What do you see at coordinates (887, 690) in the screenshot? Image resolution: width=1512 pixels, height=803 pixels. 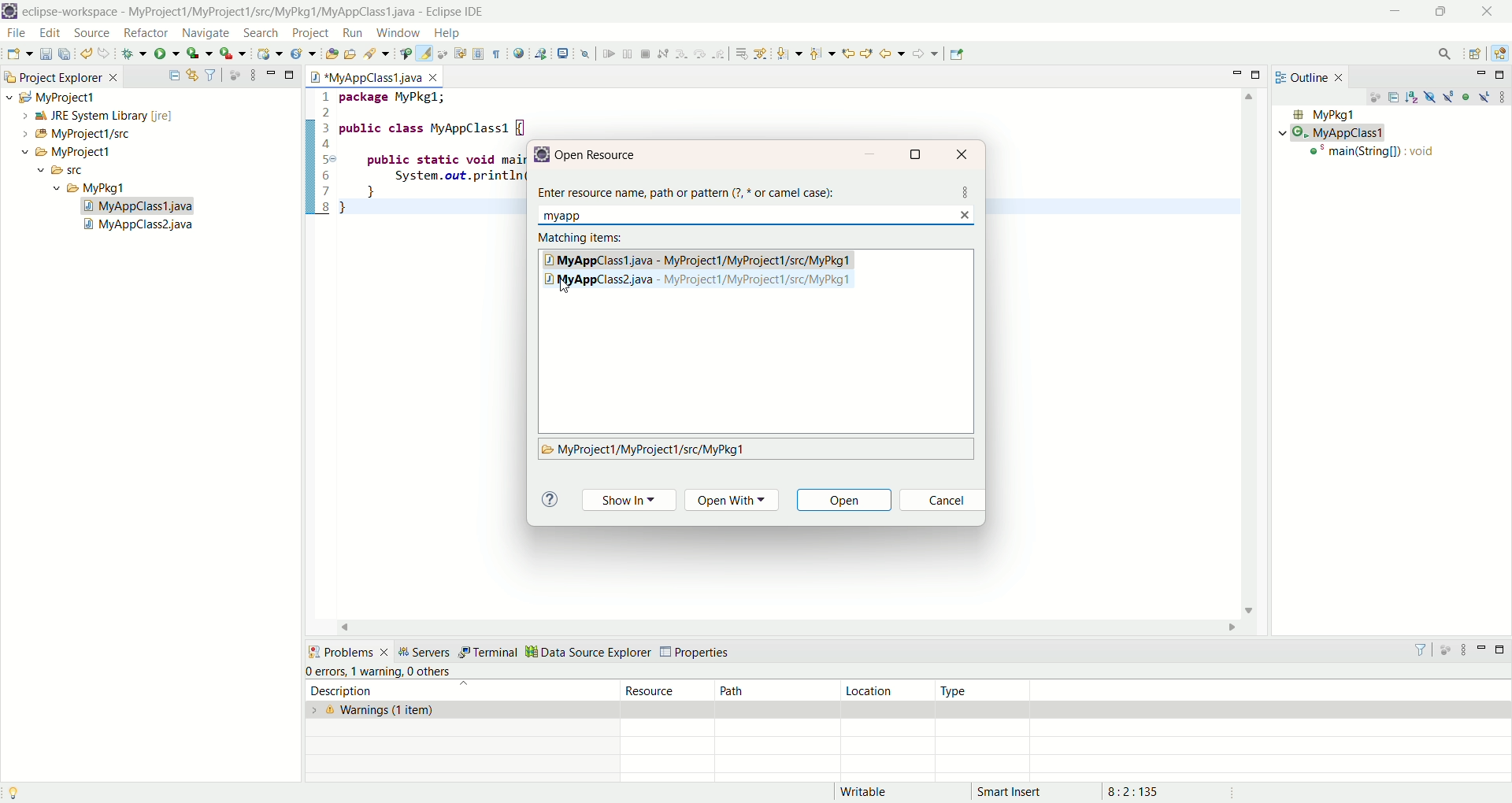 I see `location` at bounding box center [887, 690].